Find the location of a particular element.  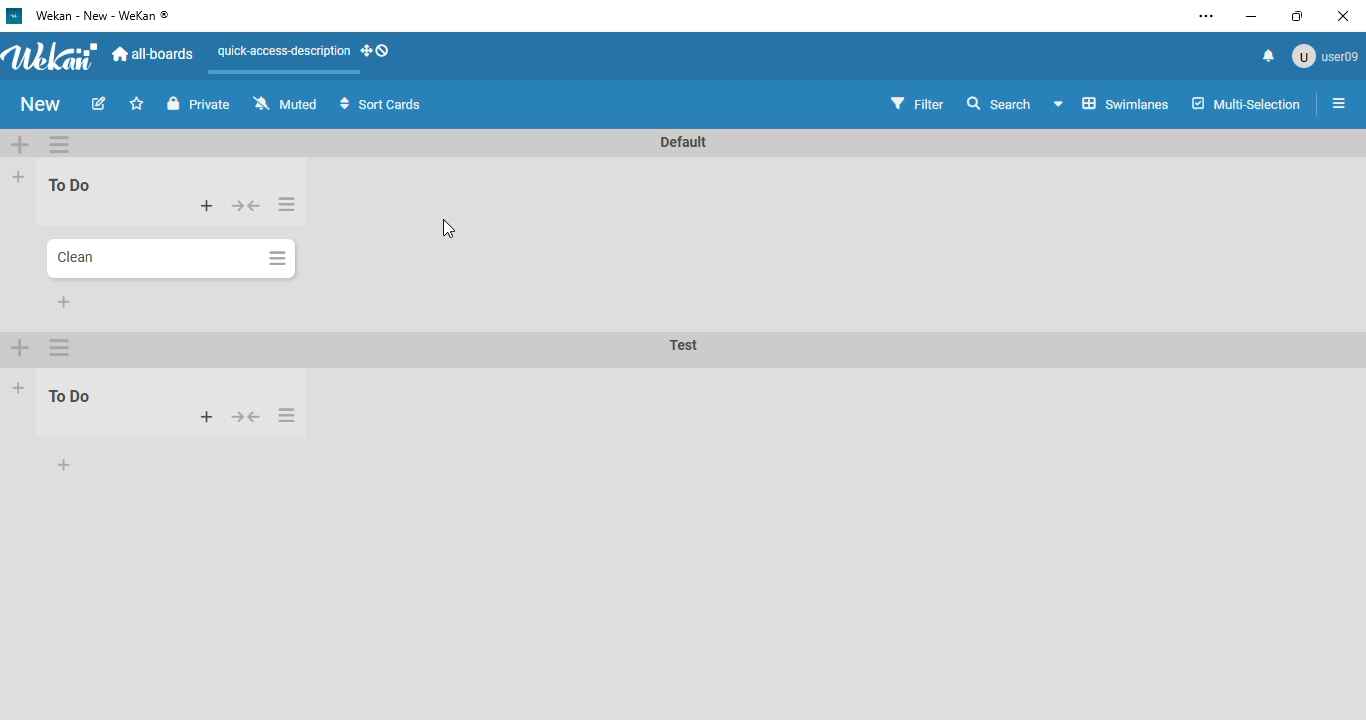

all-boards is located at coordinates (154, 54).